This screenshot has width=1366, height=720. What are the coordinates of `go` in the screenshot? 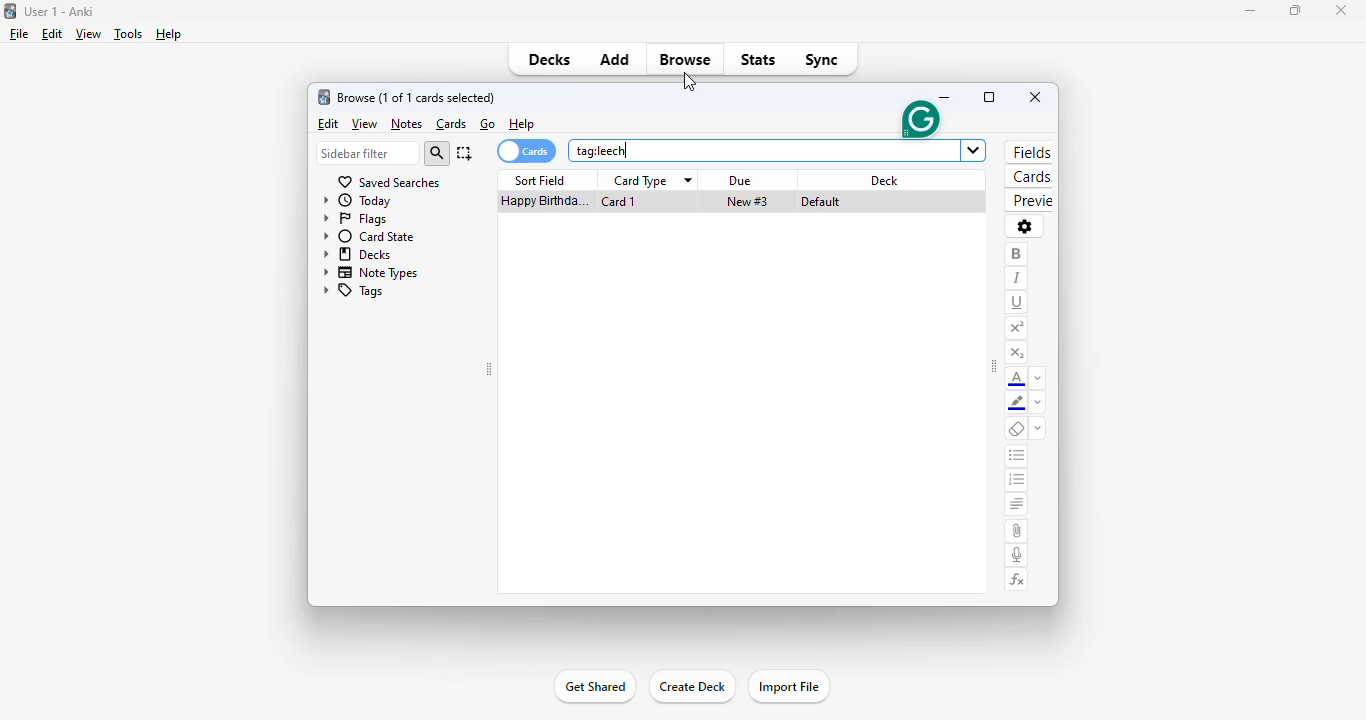 It's located at (488, 124).